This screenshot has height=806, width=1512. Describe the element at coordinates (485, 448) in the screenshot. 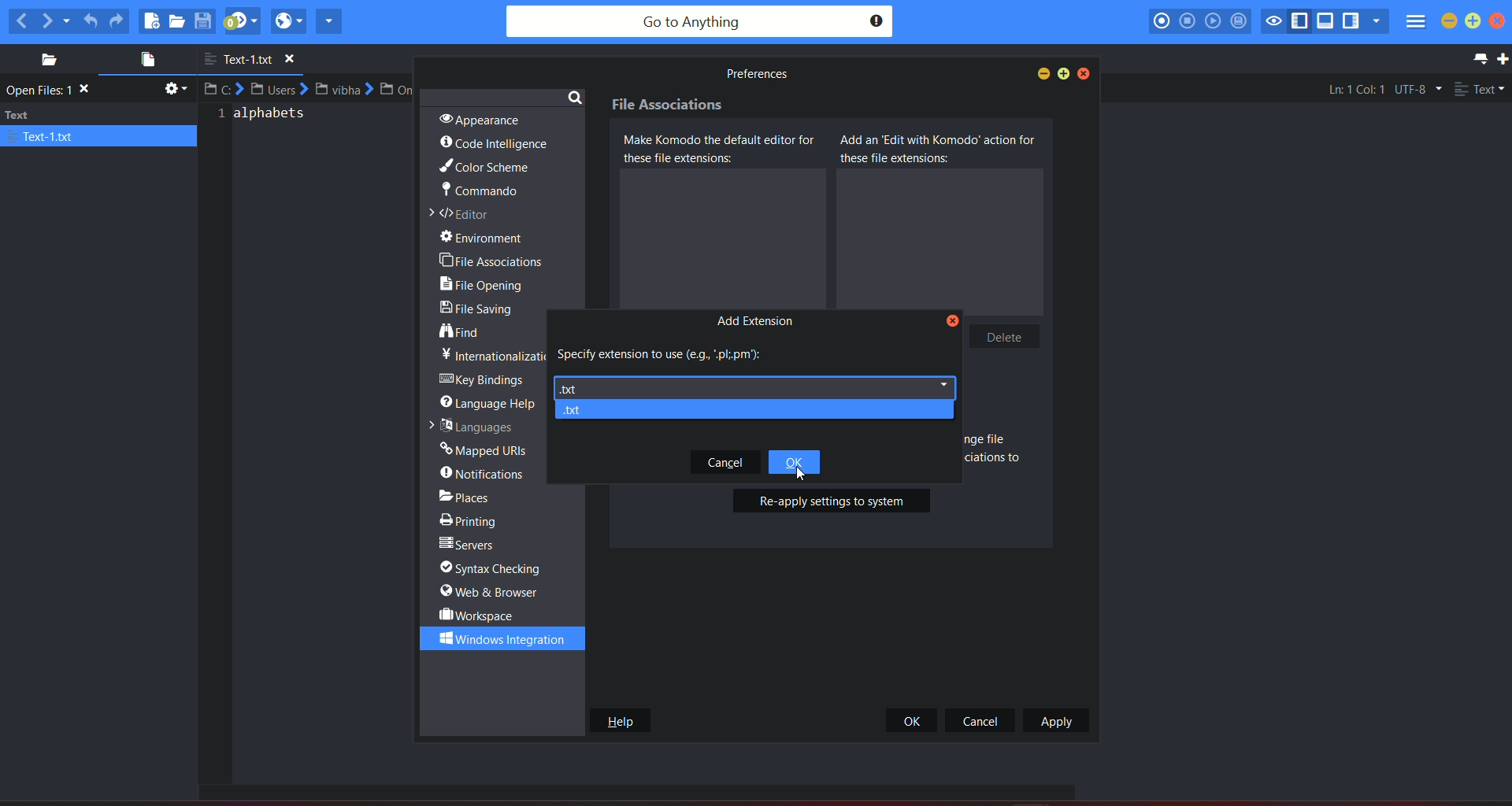

I see `mapped URLs` at that location.